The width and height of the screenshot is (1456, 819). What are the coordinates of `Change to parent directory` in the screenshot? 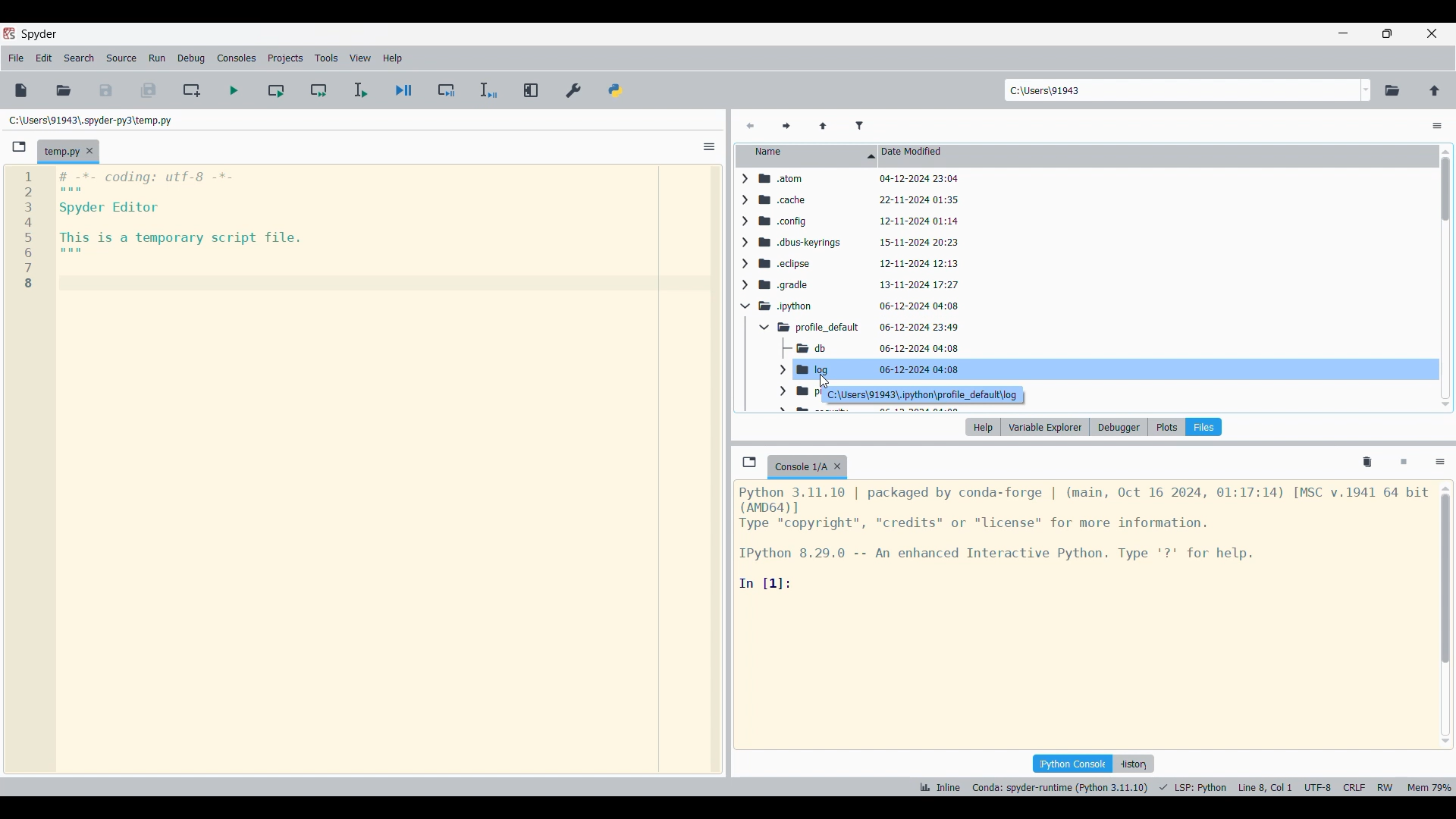 It's located at (1435, 91).